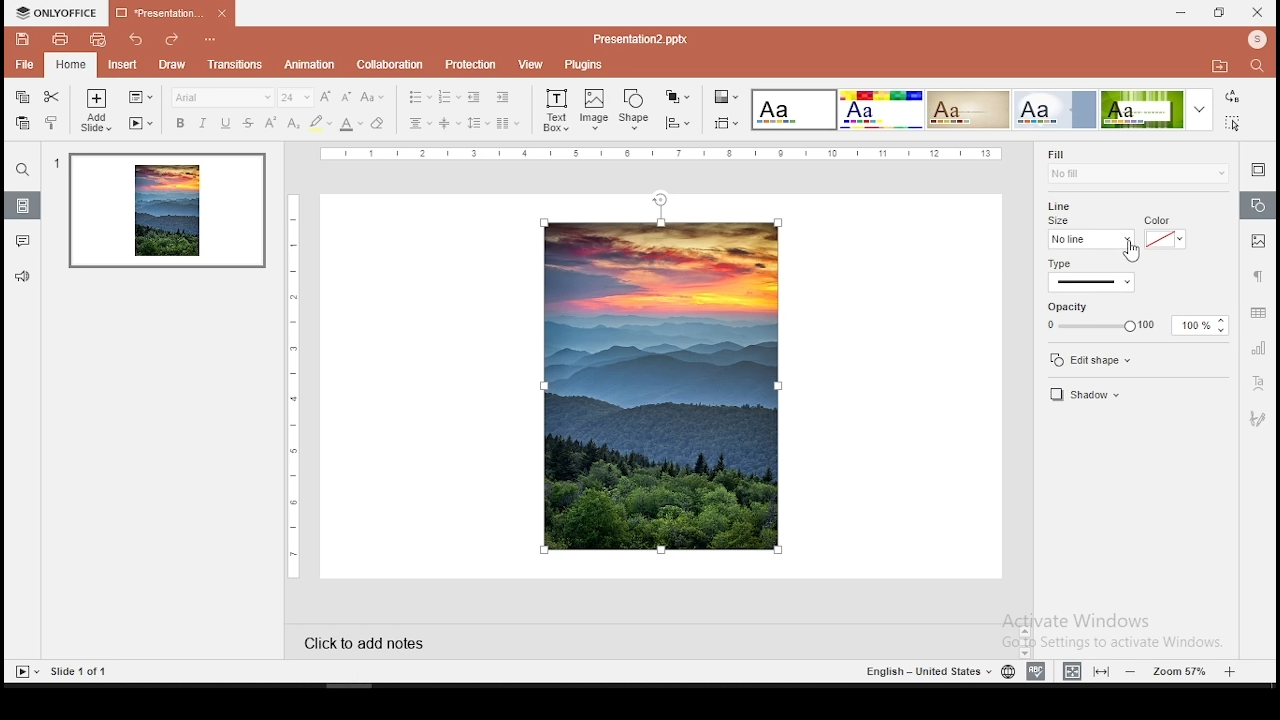  I want to click on horizontal align, so click(421, 124).